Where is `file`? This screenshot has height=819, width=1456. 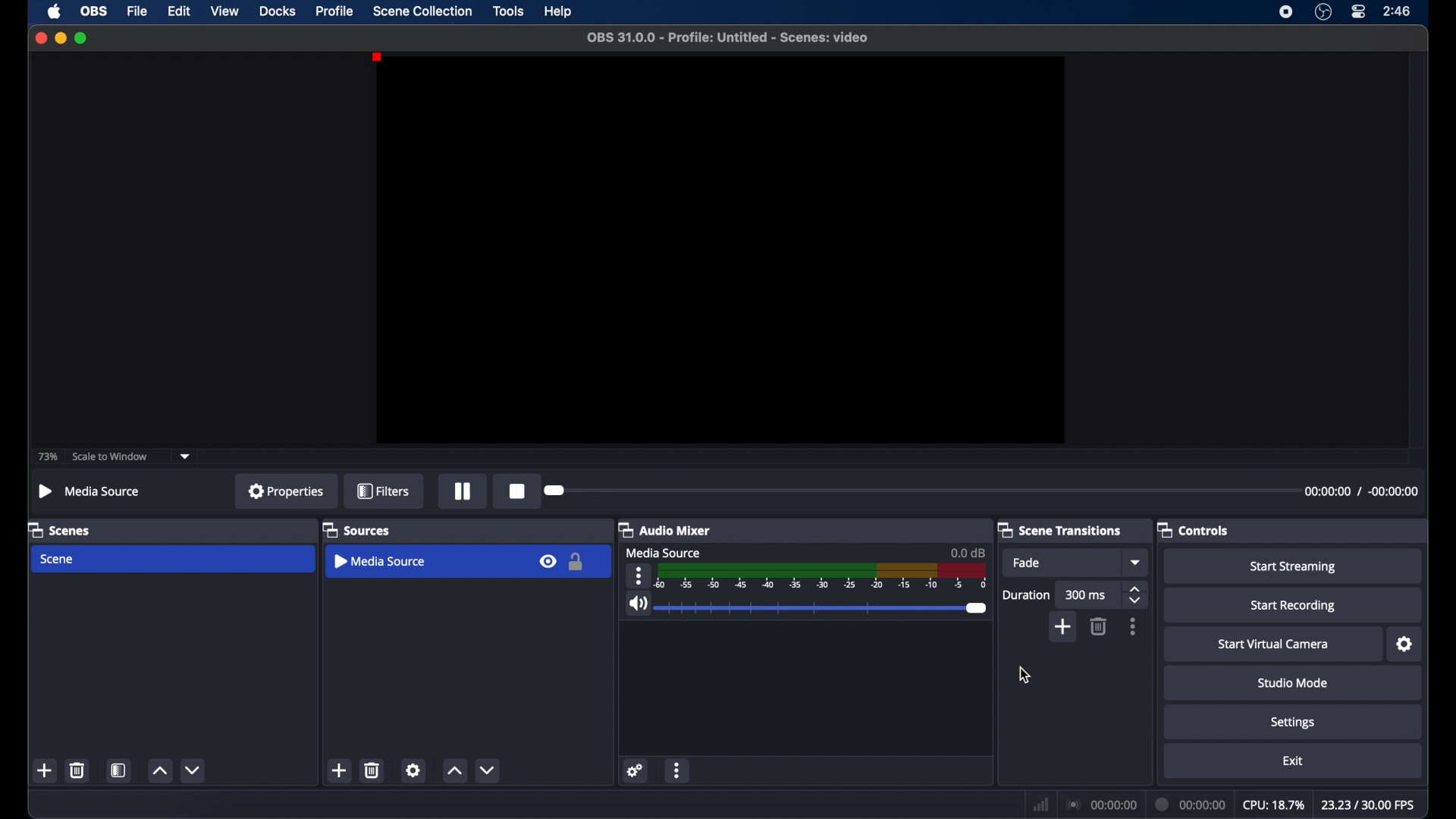 file is located at coordinates (138, 11).